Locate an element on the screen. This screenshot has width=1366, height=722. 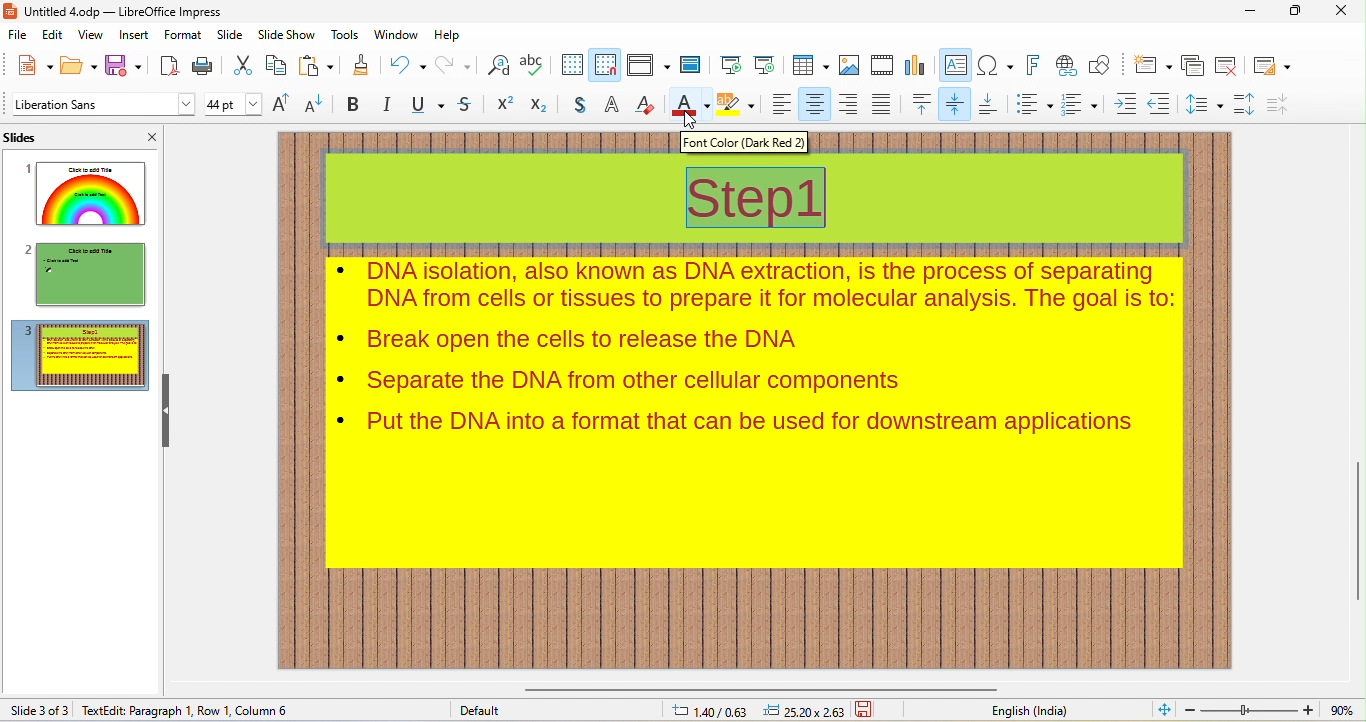
display views is located at coordinates (647, 66).